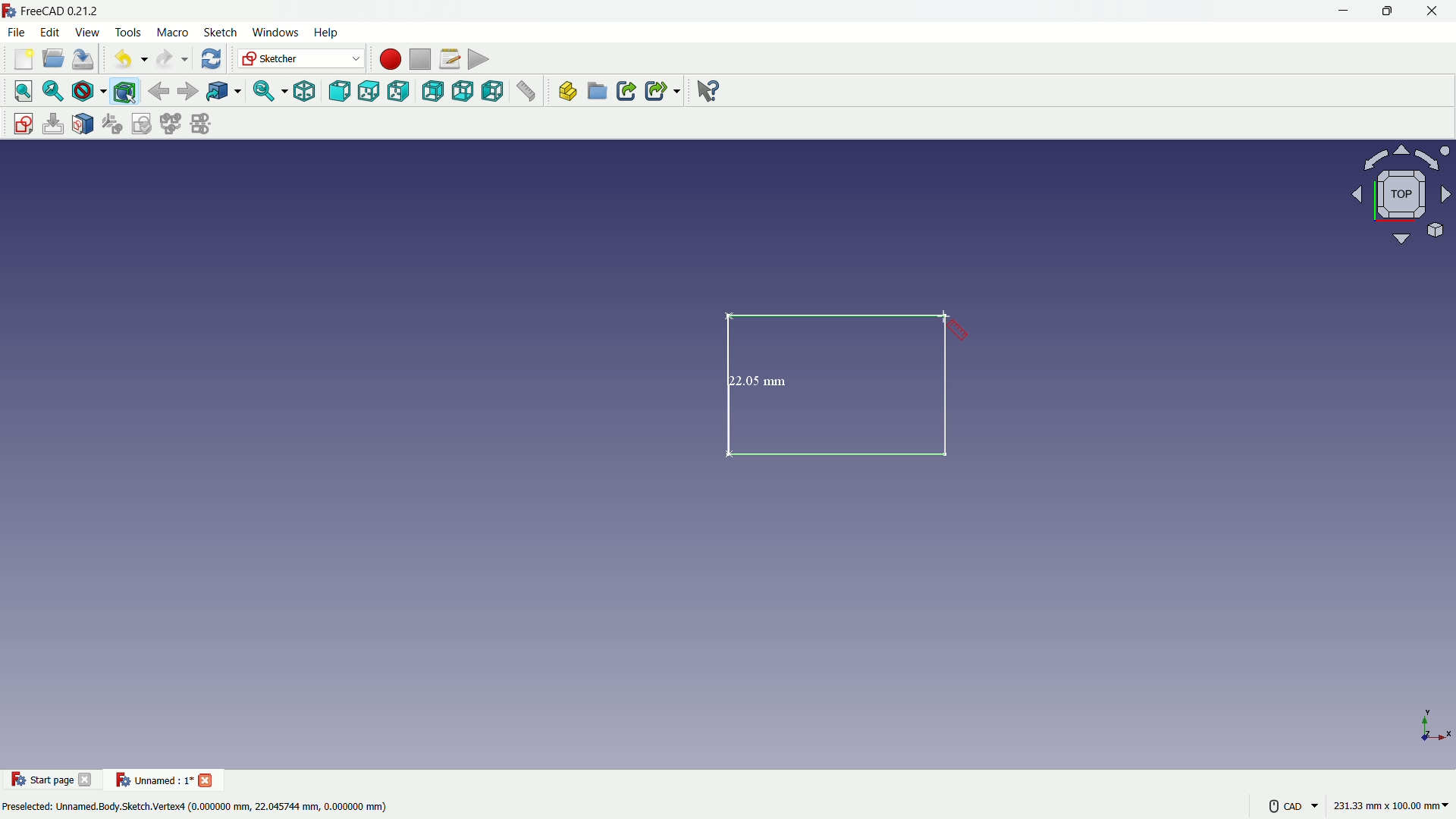 The height and width of the screenshot is (819, 1456). Describe the element at coordinates (208, 779) in the screenshot. I see `close project` at that location.